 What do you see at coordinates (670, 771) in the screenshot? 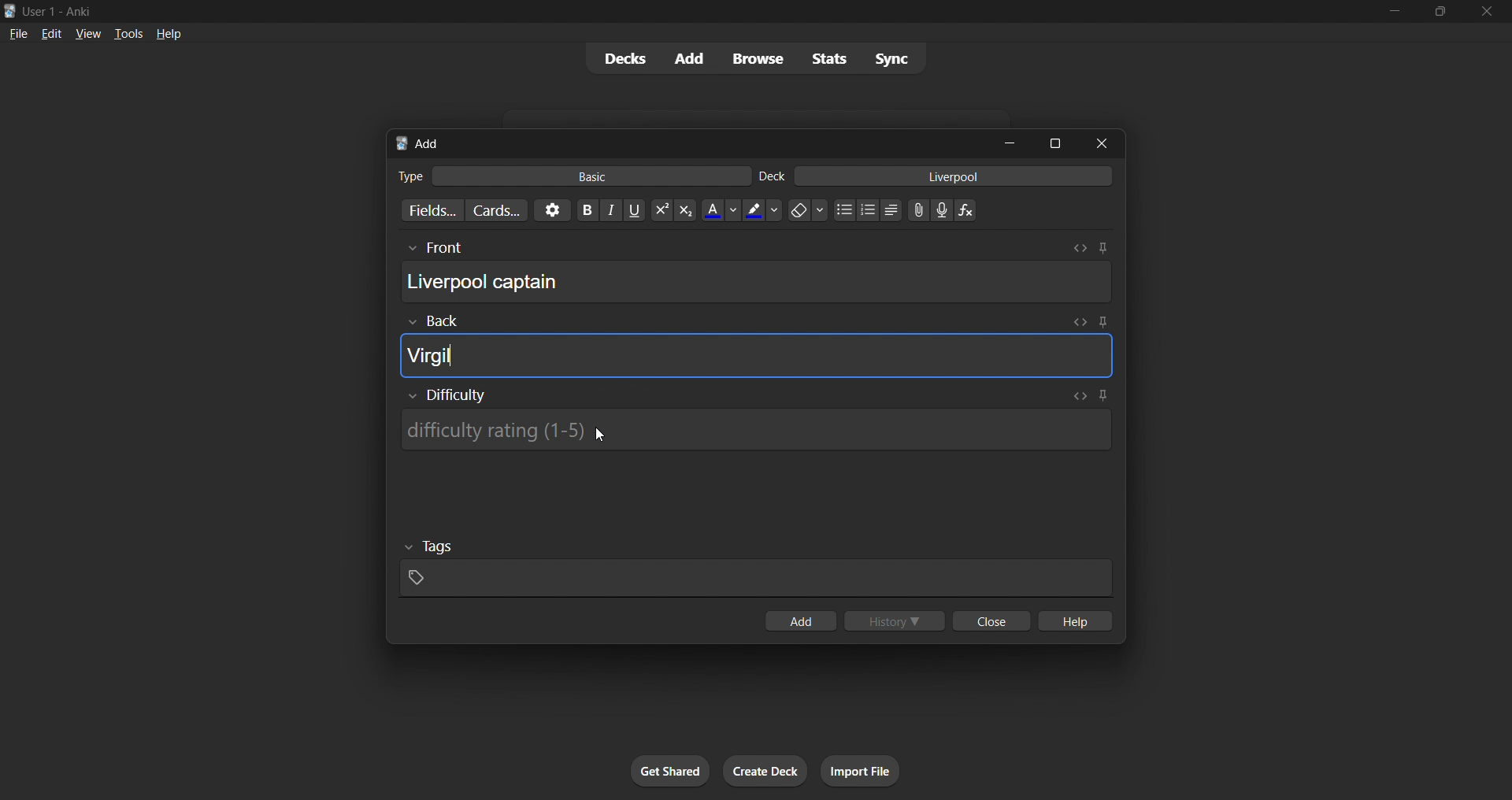
I see `get shared` at bounding box center [670, 771].